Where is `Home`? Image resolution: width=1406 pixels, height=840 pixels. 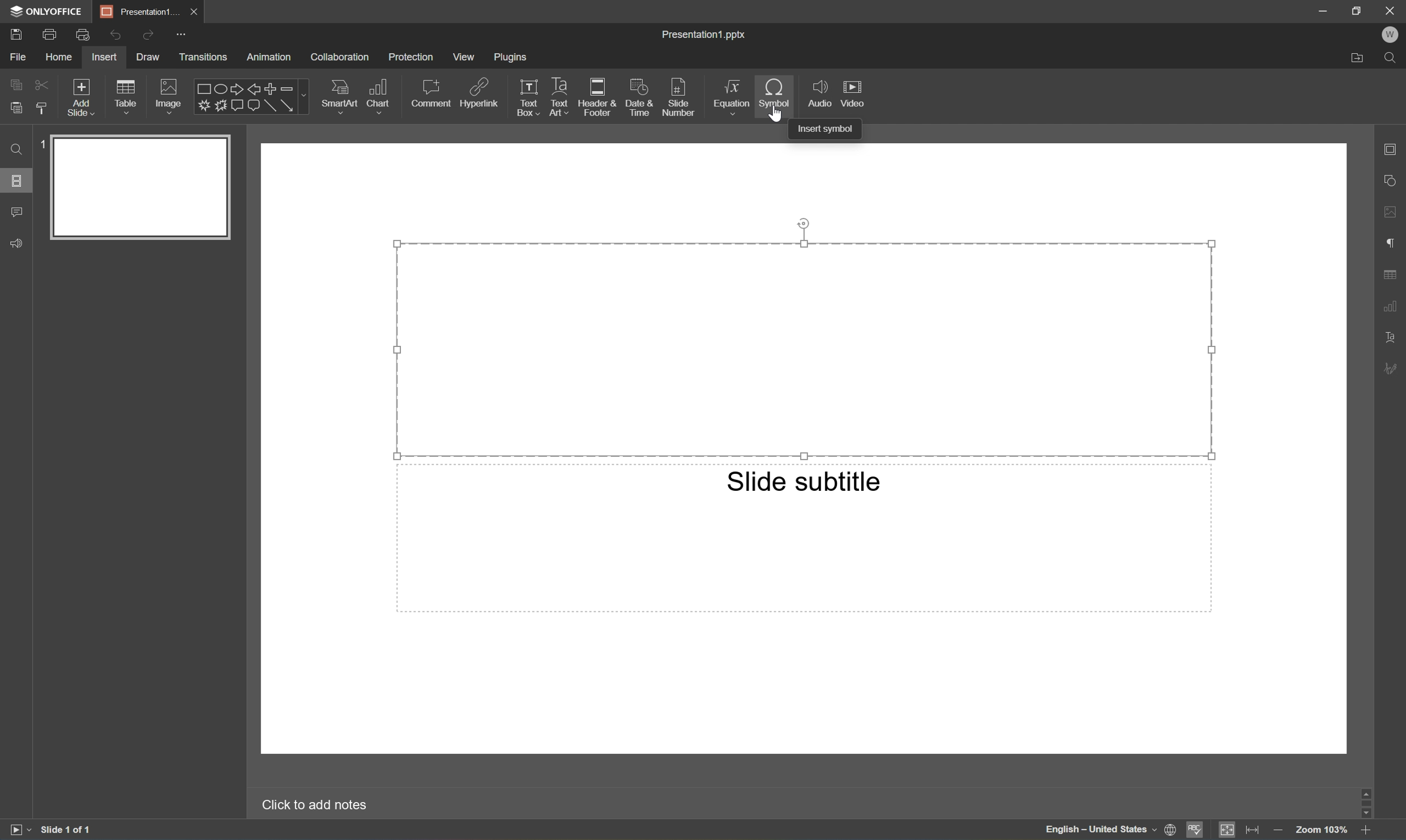 Home is located at coordinates (59, 56).